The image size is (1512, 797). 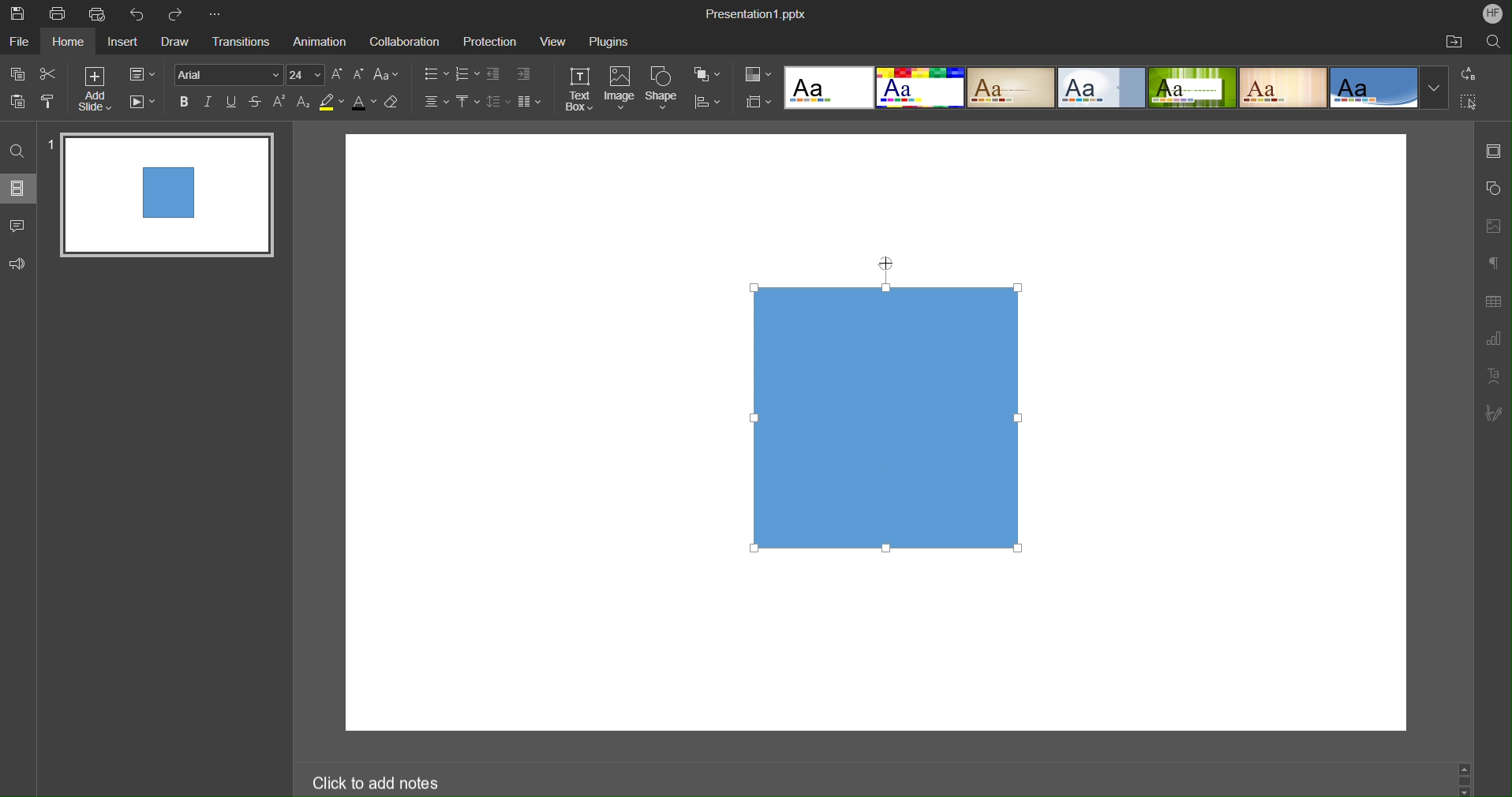 What do you see at coordinates (757, 73) in the screenshot?
I see `Colors` at bounding box center [757, 73].